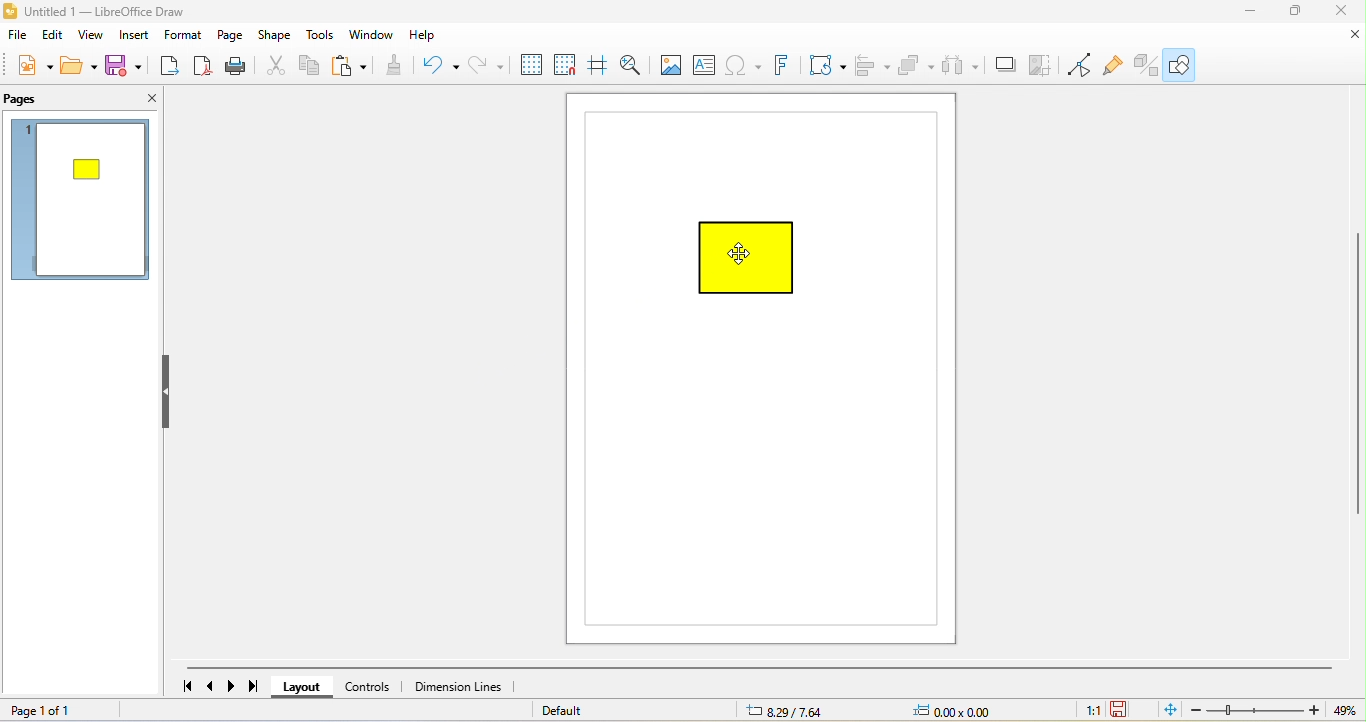 The width and height of the screenshot is (1366, 722). I want to click on arrange, so click(920, 66).